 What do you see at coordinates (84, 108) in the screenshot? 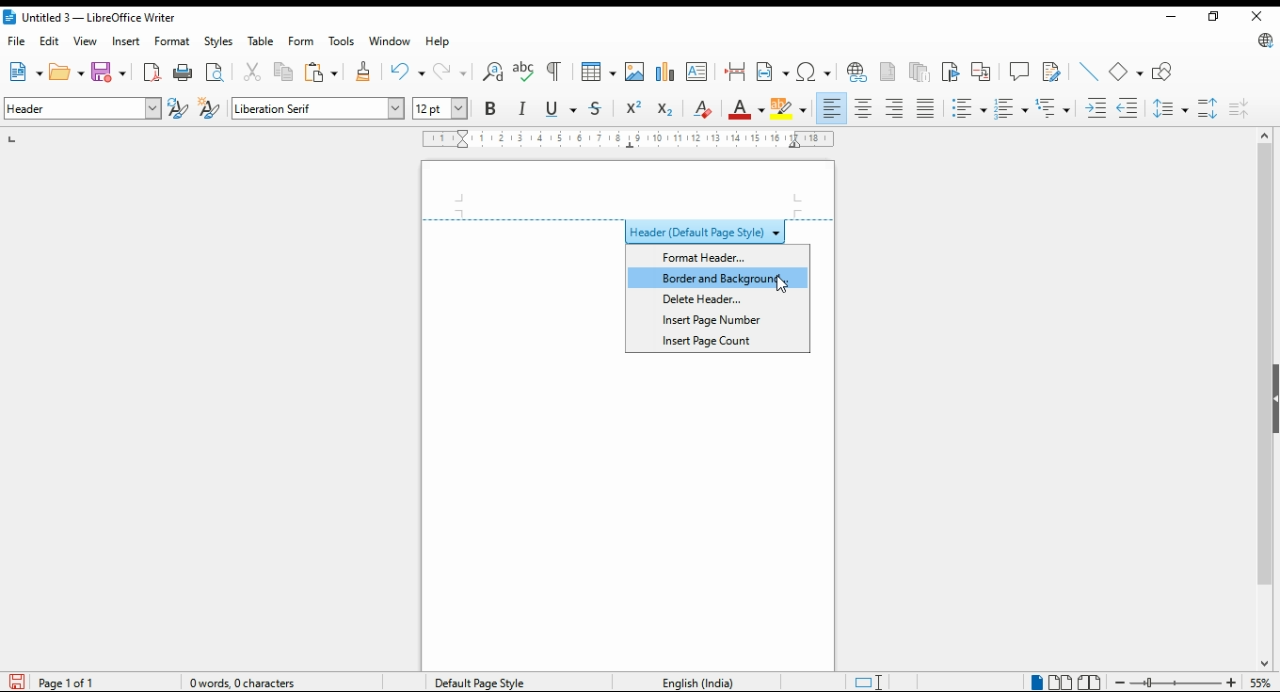
I see `paragraph style` at bounding box center [84, 108].